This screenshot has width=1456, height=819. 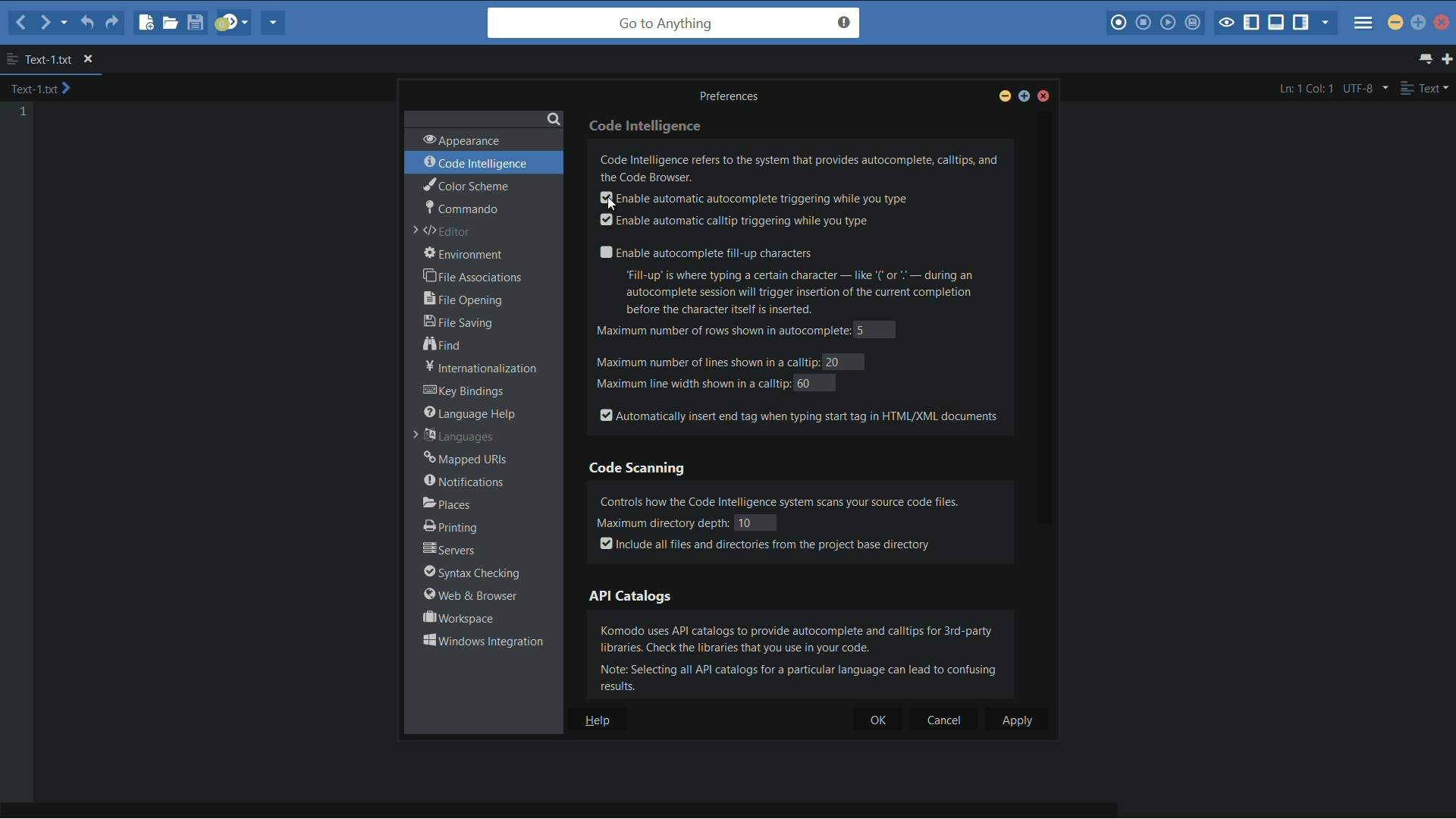 What do you see at coordinates (456, 438) in the screenshot?
I see `languages` at bounding box center [456, 438].